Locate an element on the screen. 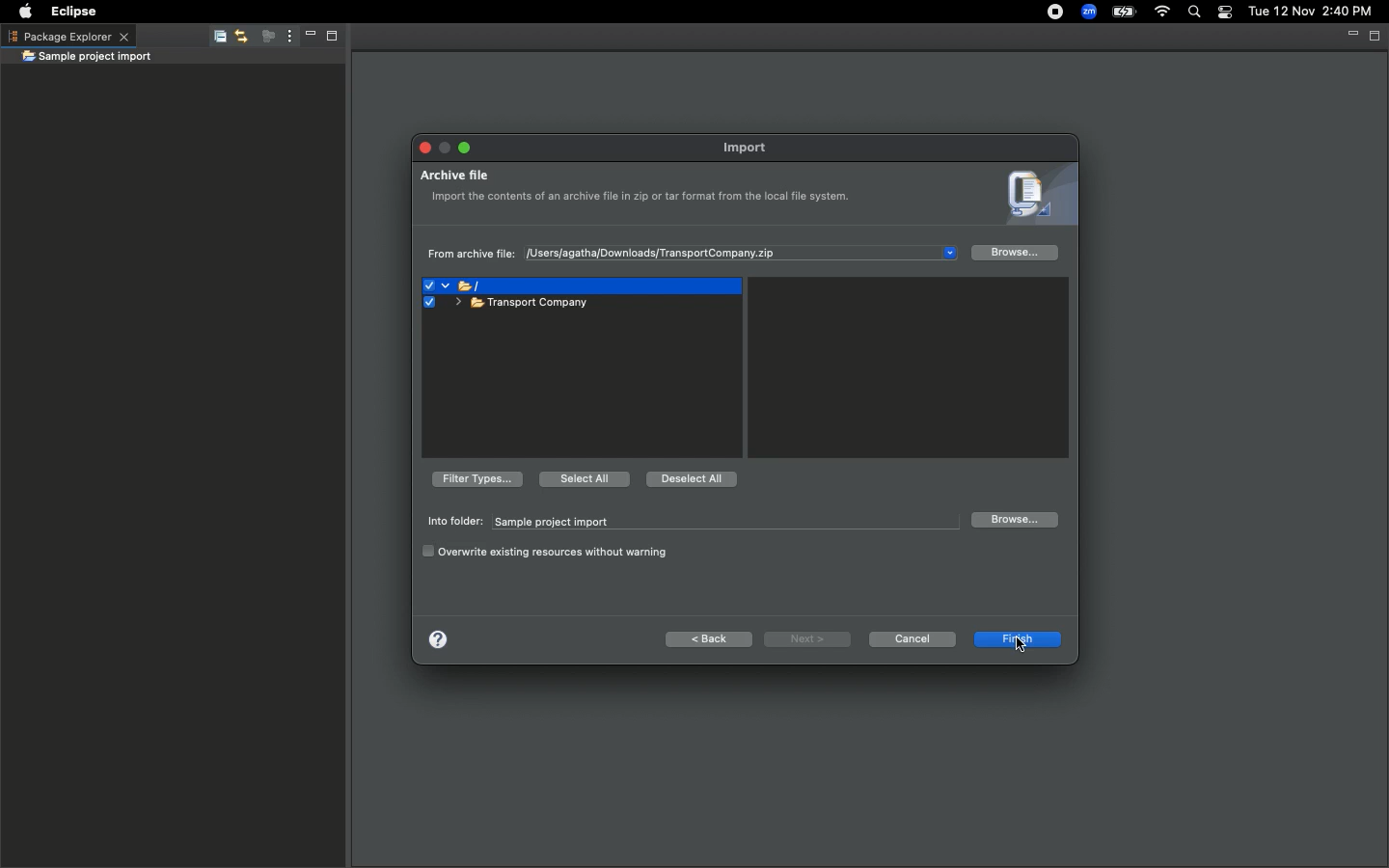  Zoom is located at coordinates (1087, 12).